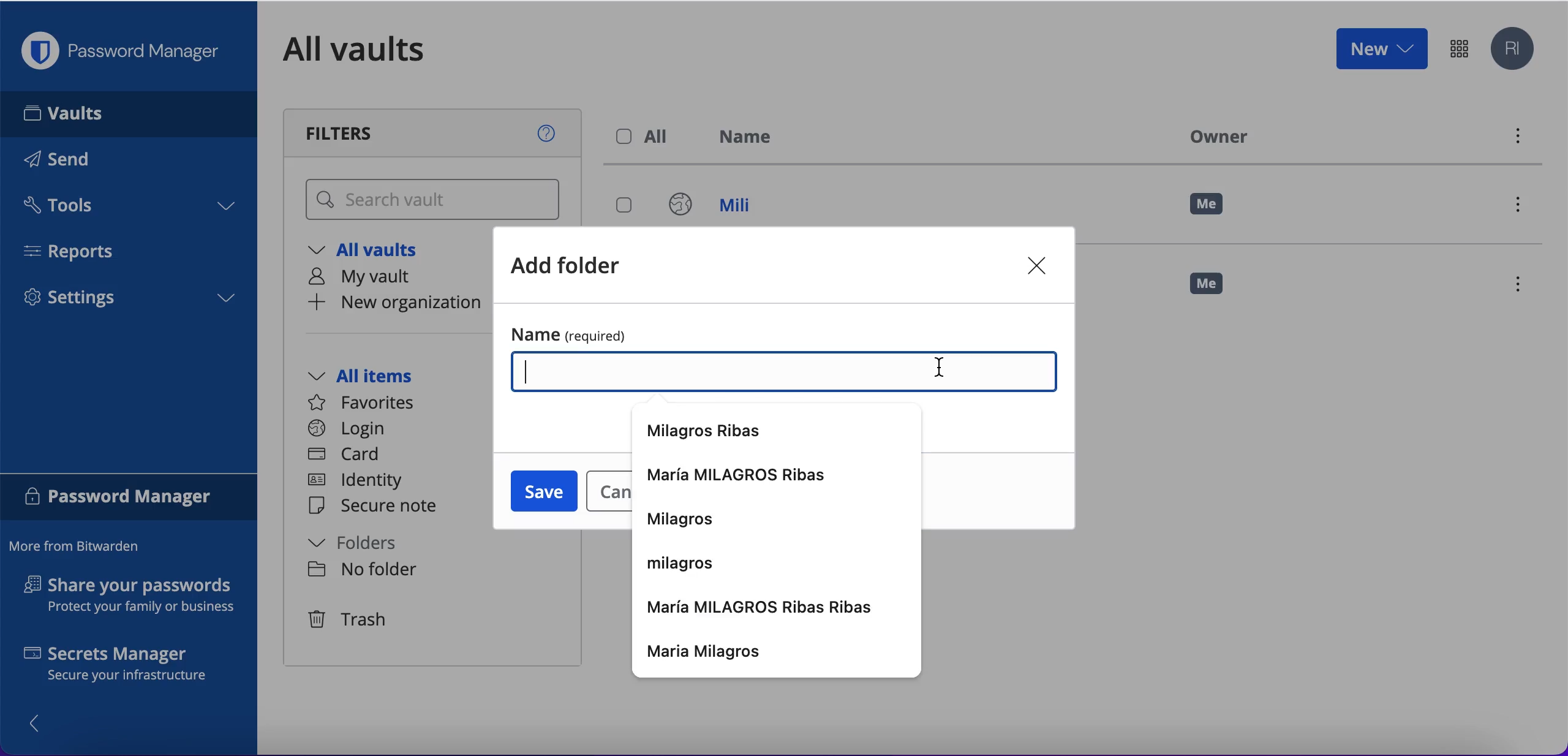  What do you see at coordinates (1523, 286) in the screenshot?
I see `menu` at bounding box center [1523, 286].